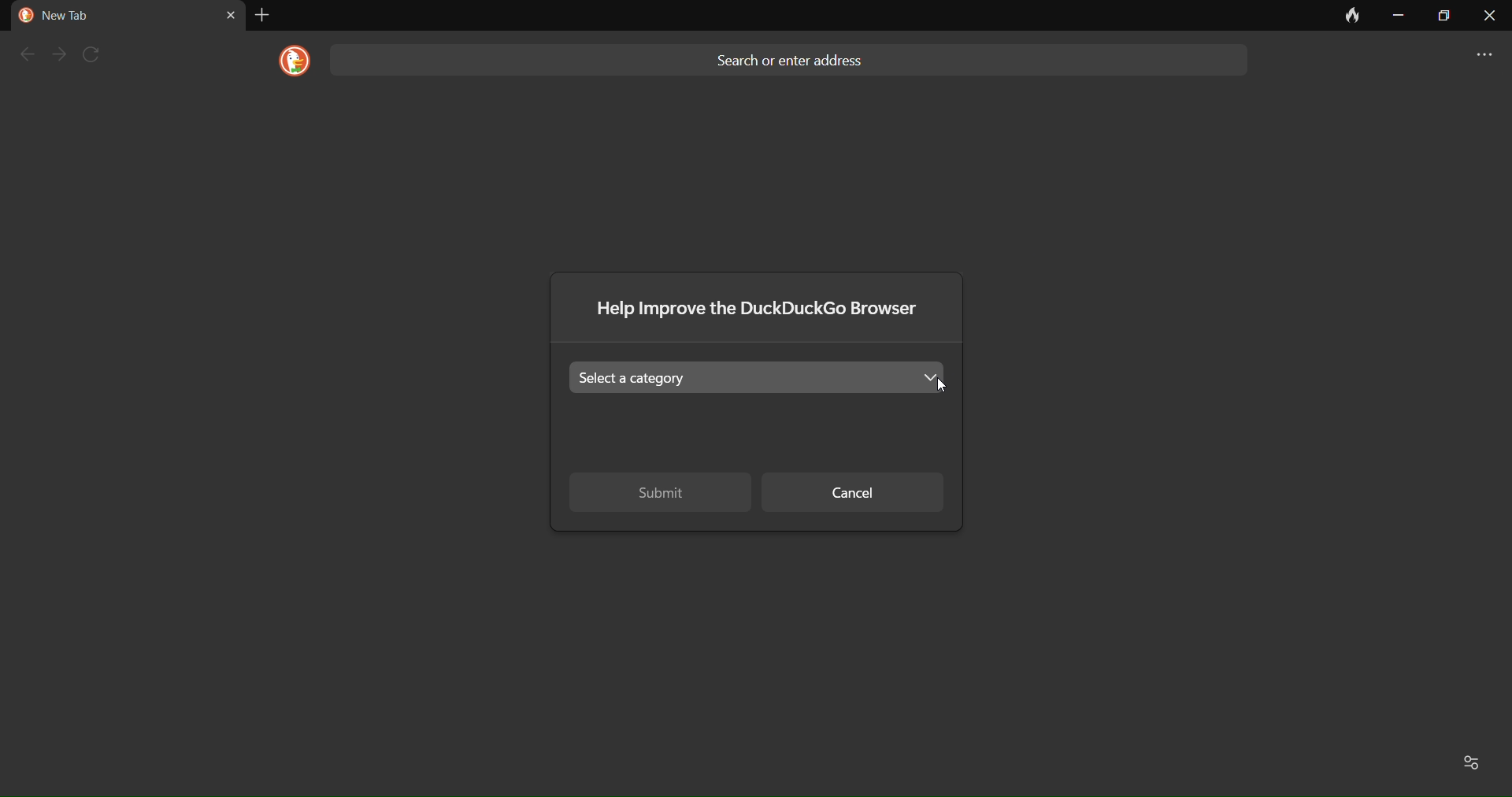  I want to click on Search or enter address, so click(795, 57).